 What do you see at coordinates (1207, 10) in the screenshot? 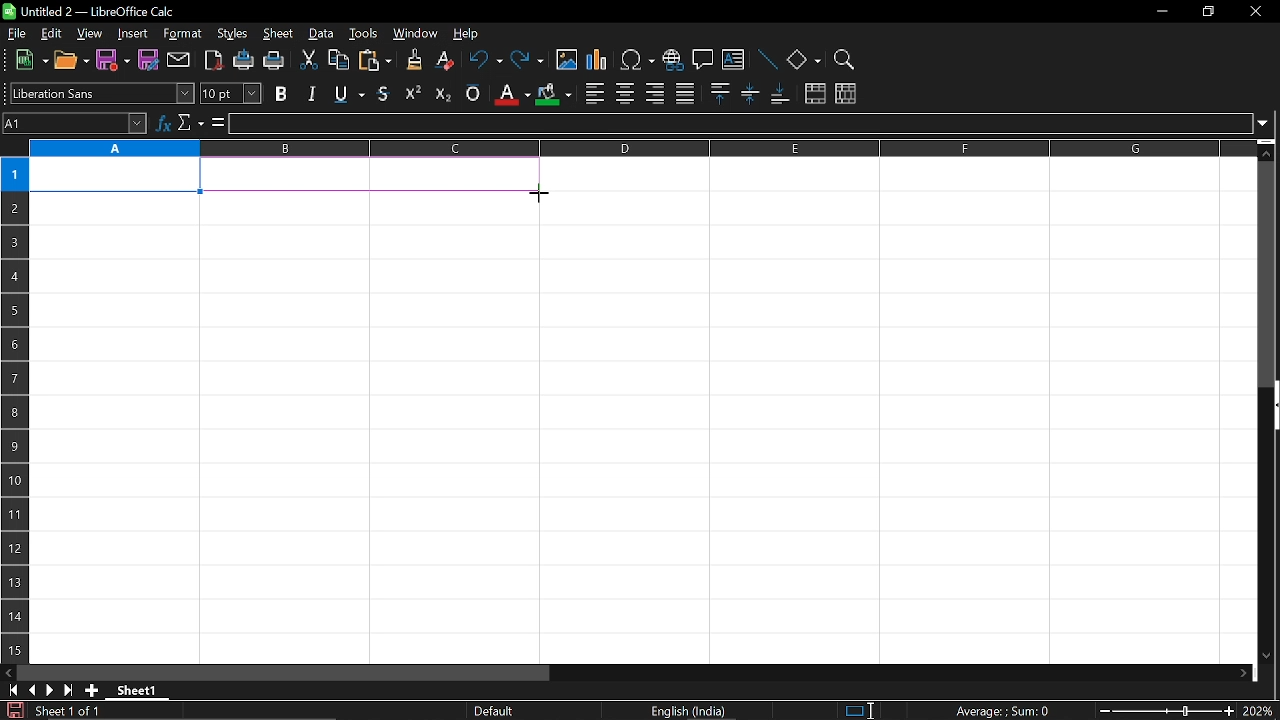
I see `restore down` at bounding box center [1207, 10].